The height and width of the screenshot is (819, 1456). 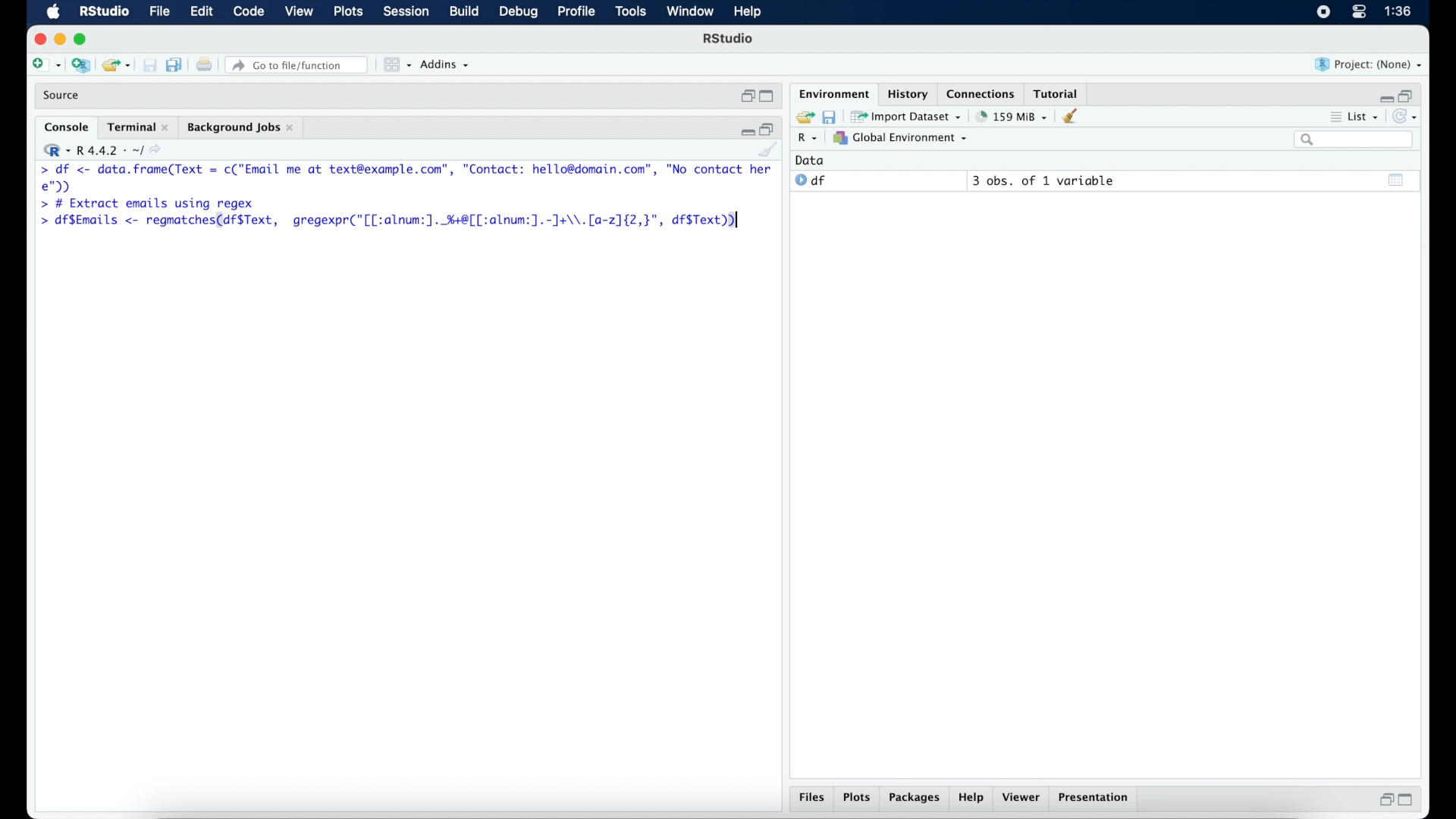 What do you see at coordinates (1059, 92) in the screenshot?
I see `tutorial` at bounding box center [1059, 92].